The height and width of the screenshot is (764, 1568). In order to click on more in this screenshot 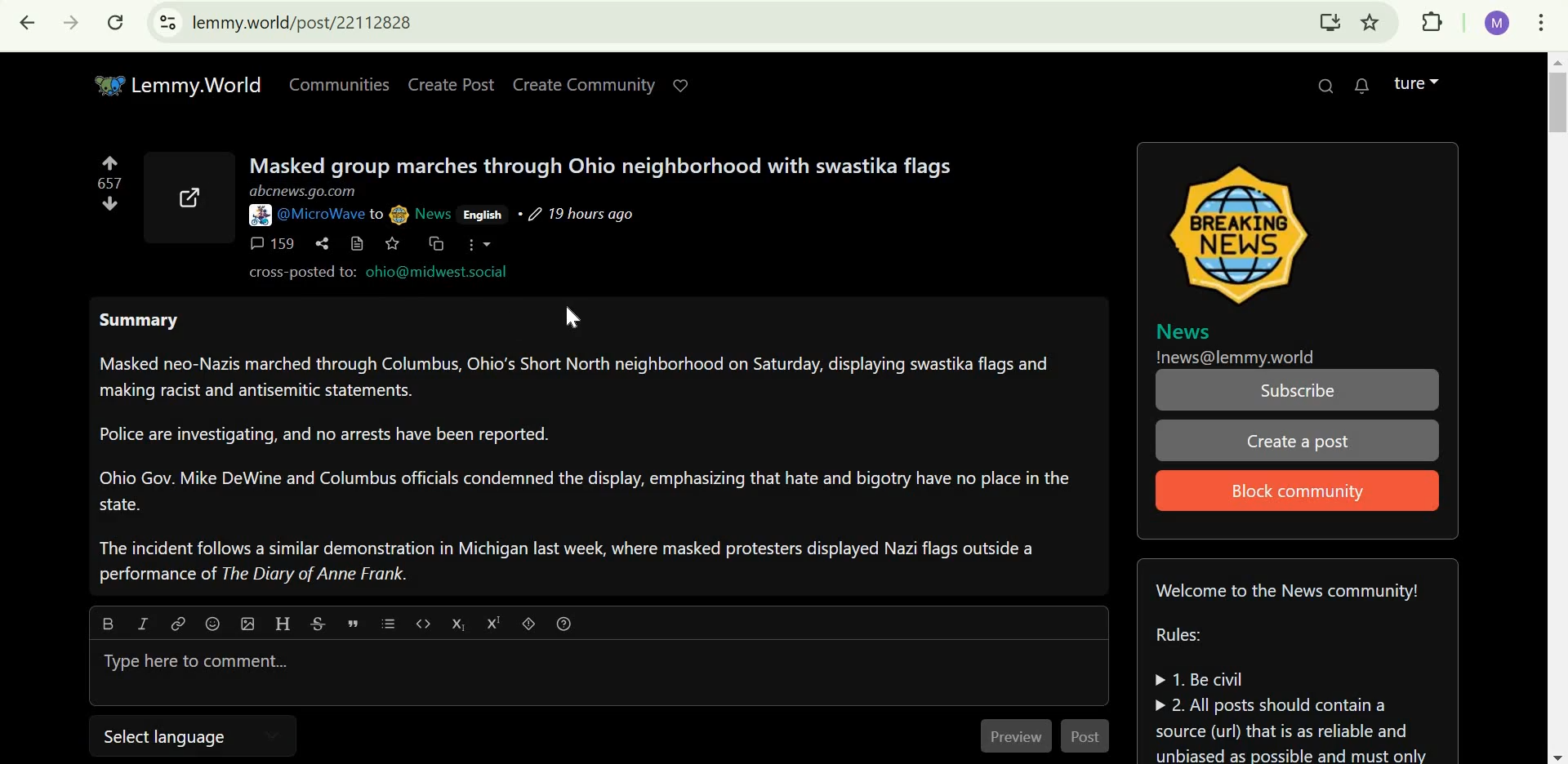, I will do `click(479, 244)`.